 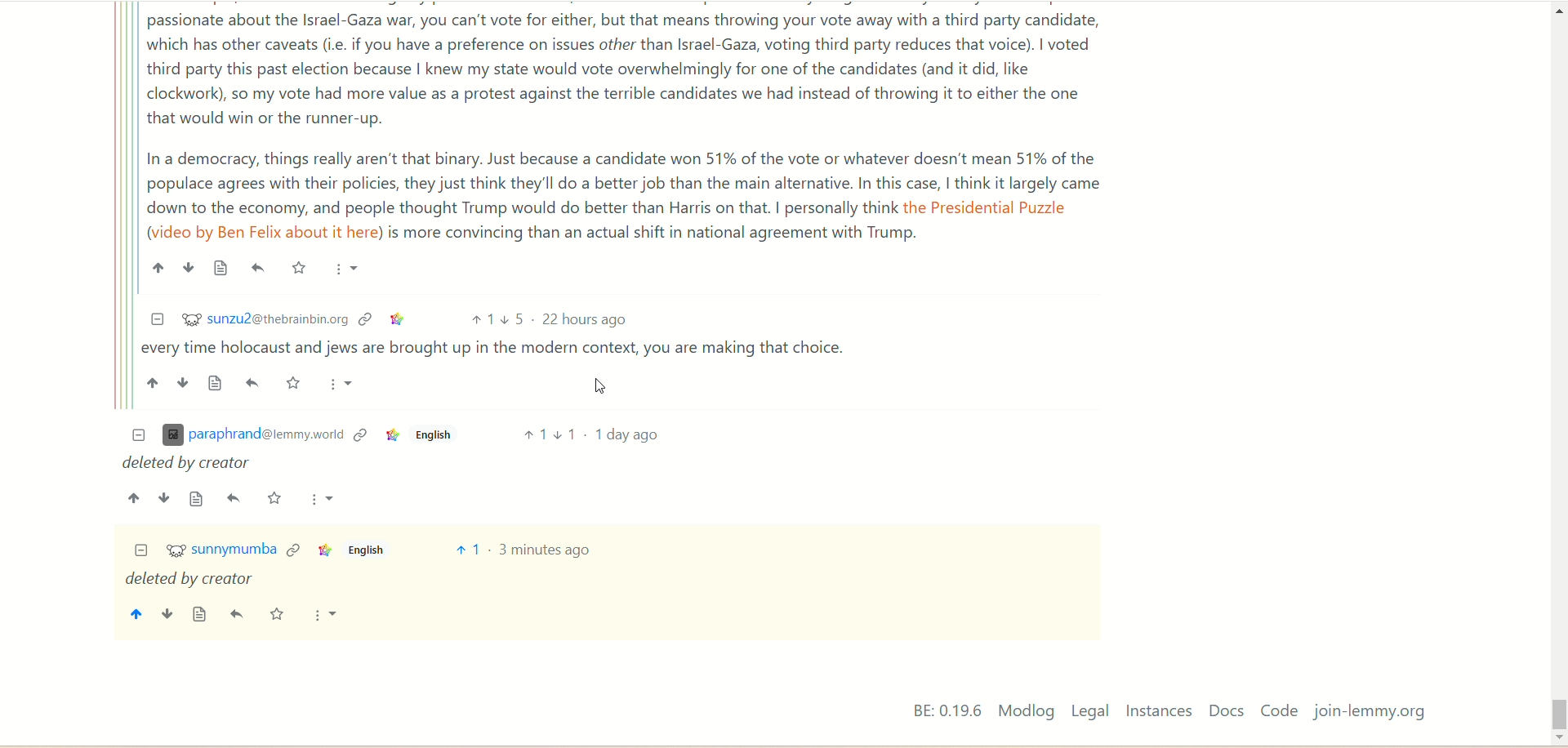 I want to click on 22 hours ago, so click(x=587, y=320).